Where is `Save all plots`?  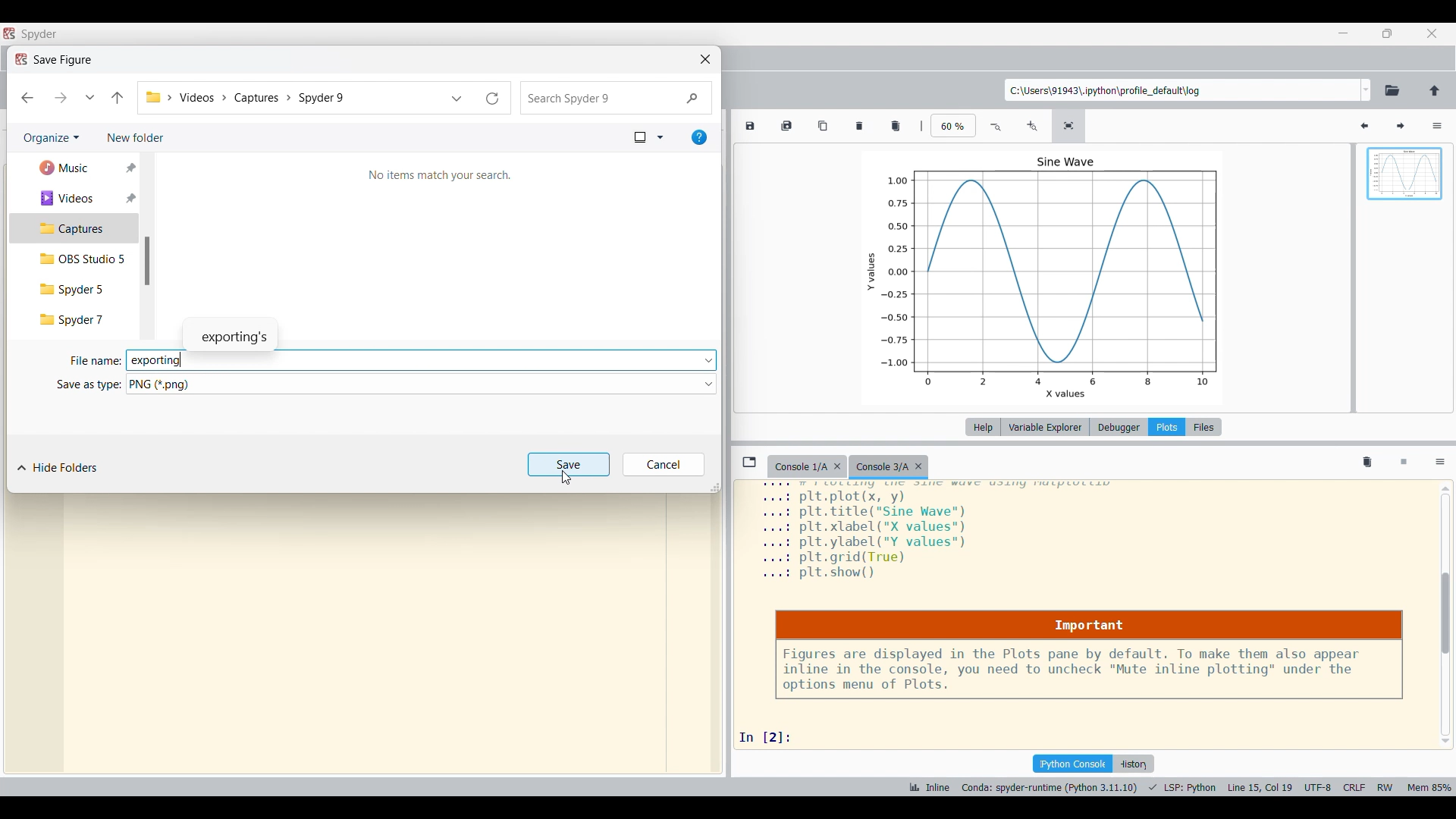 Save all plots is located at coordinates (786, 125).